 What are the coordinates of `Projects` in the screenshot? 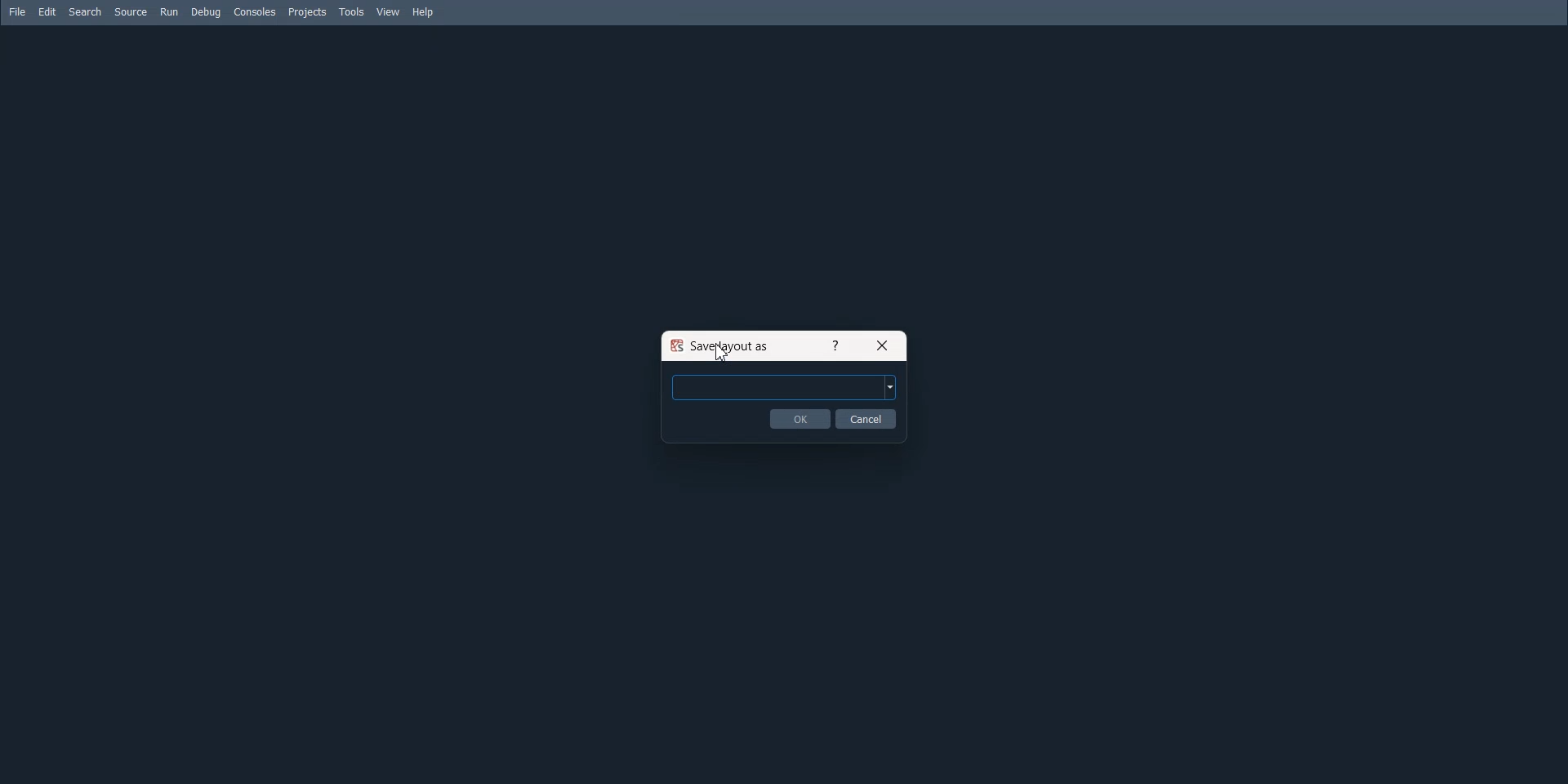 It's located at (308, 13).